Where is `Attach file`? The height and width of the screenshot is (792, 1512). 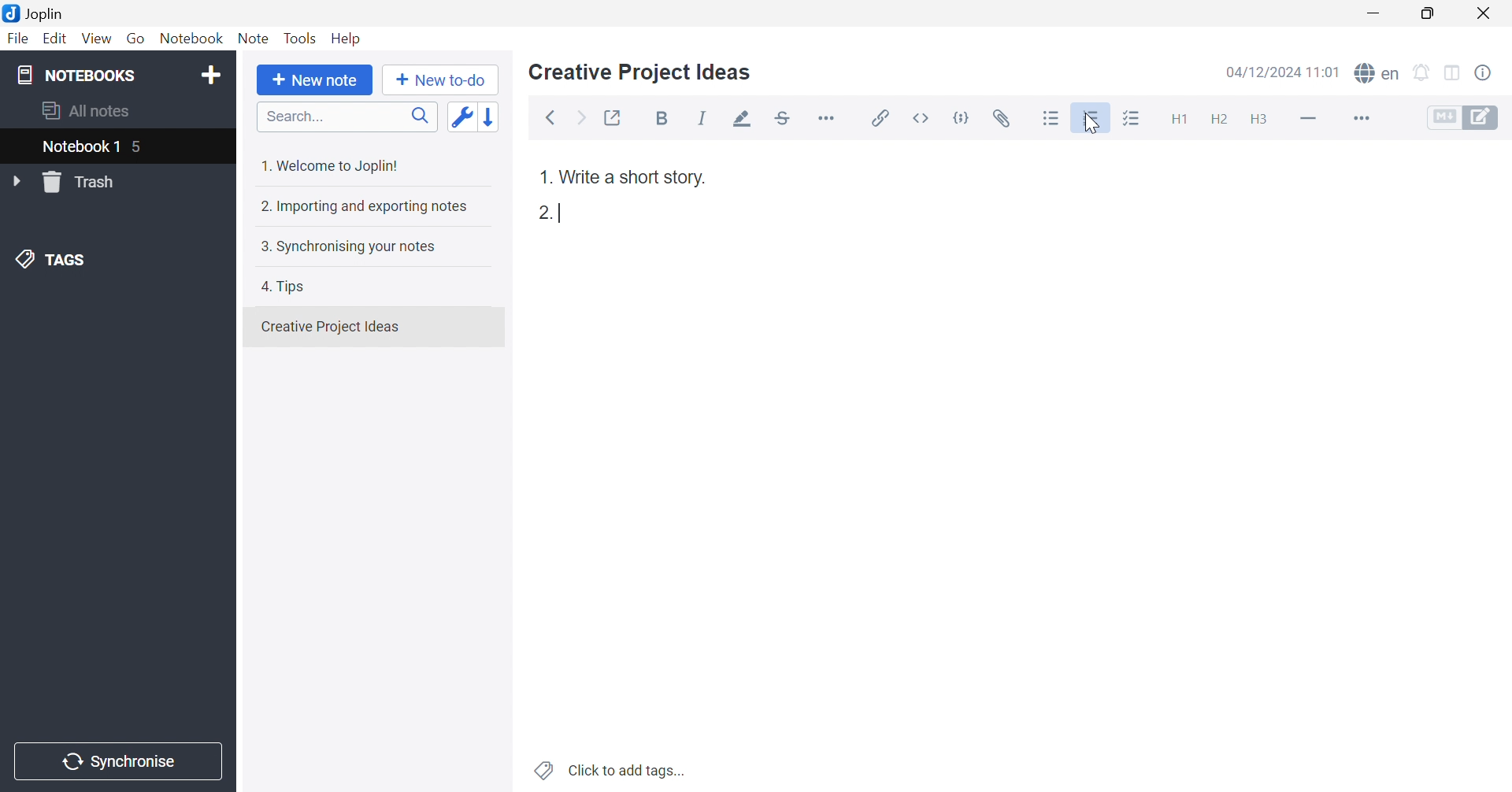
Attach file is located at coordinates (1007, 120).